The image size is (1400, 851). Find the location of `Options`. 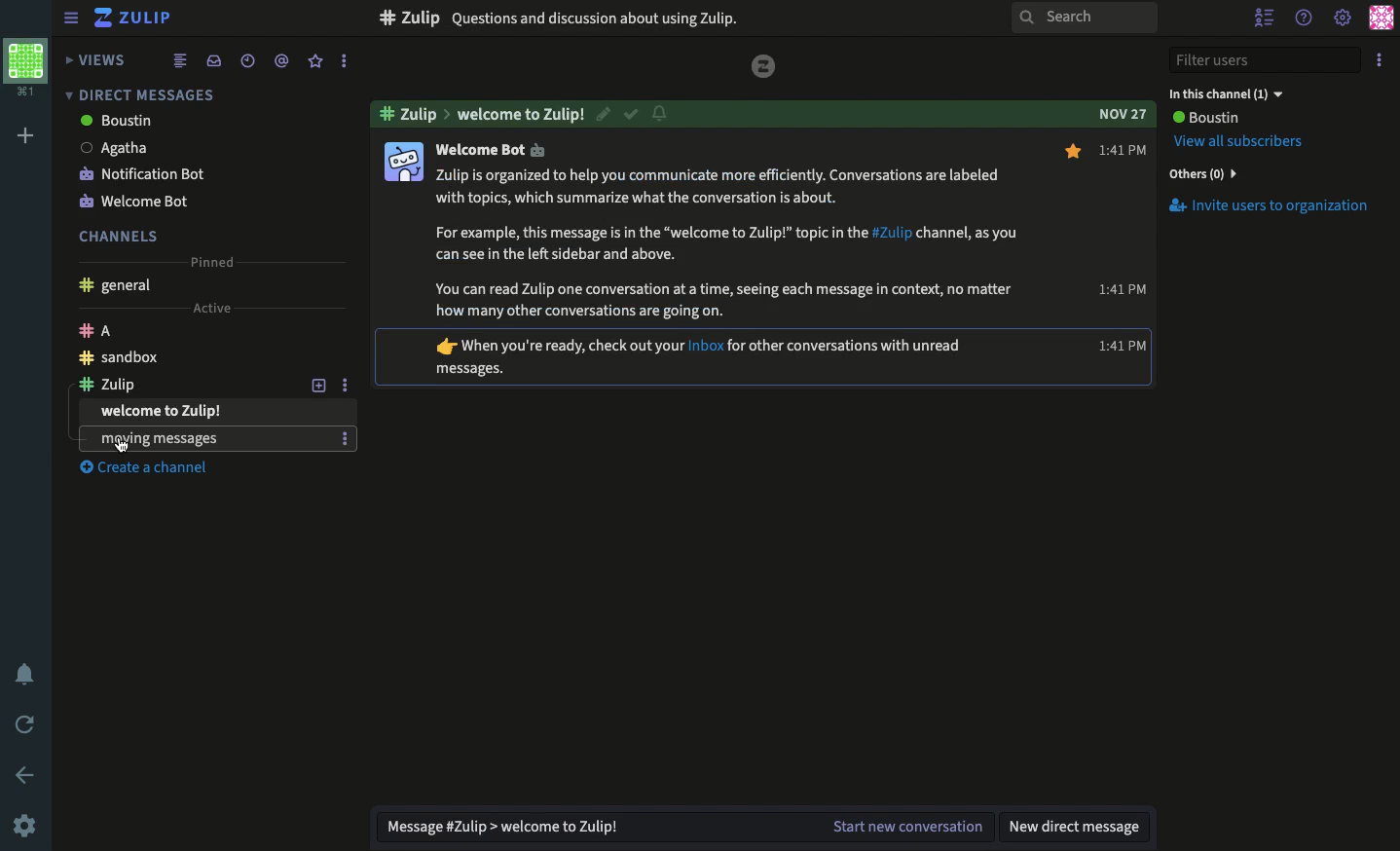

Options is located at coordinates (346, 385).